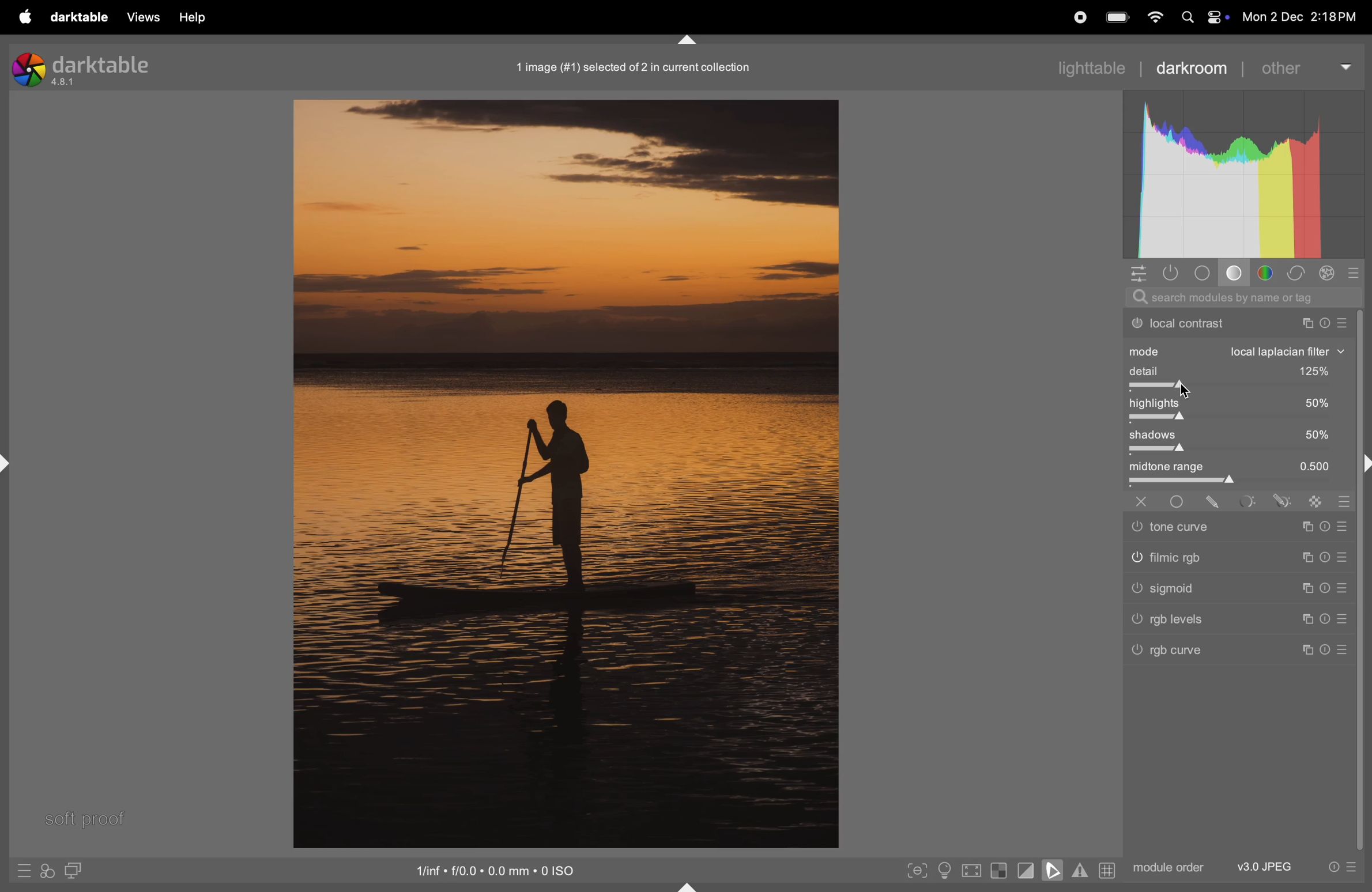 The width and height of the screenshot is (1372, 892). Describe the element at coordinates (1235, 435) in the screenshot. I see `shadows` at that location.